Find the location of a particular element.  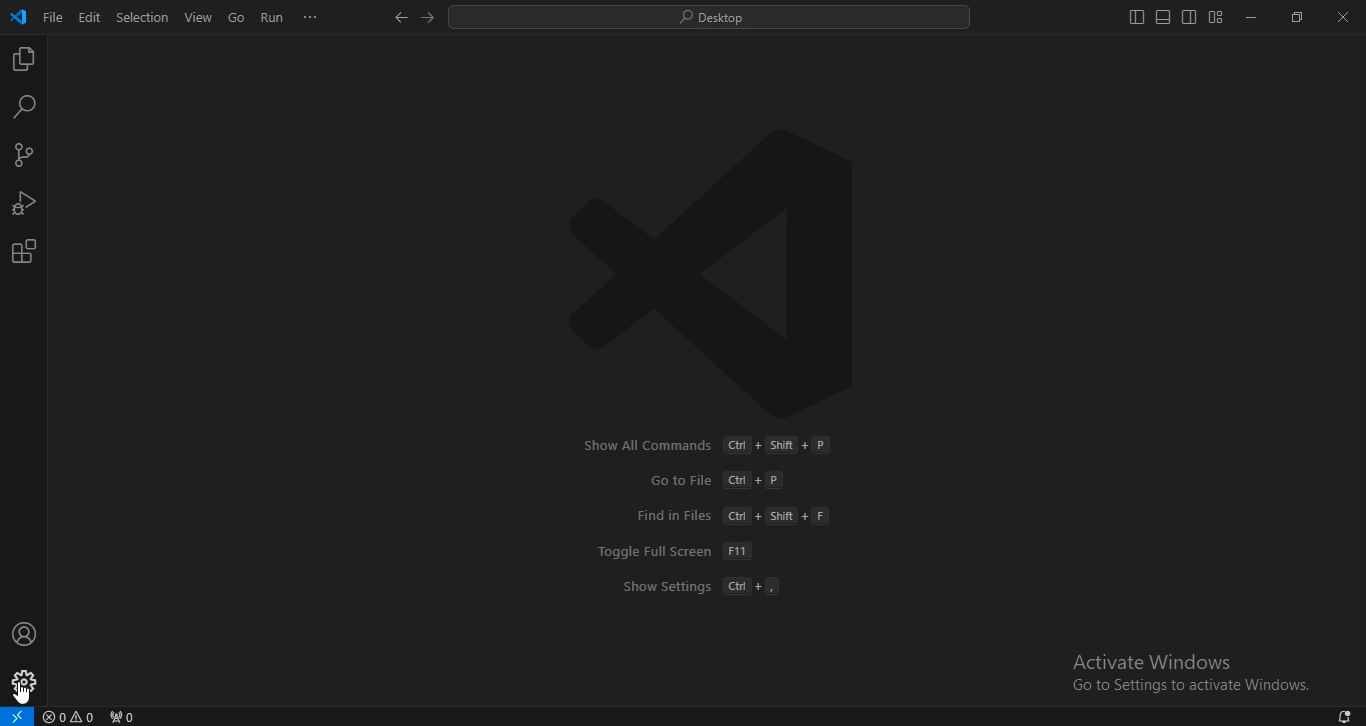

run is located at coordinates (271, 18).